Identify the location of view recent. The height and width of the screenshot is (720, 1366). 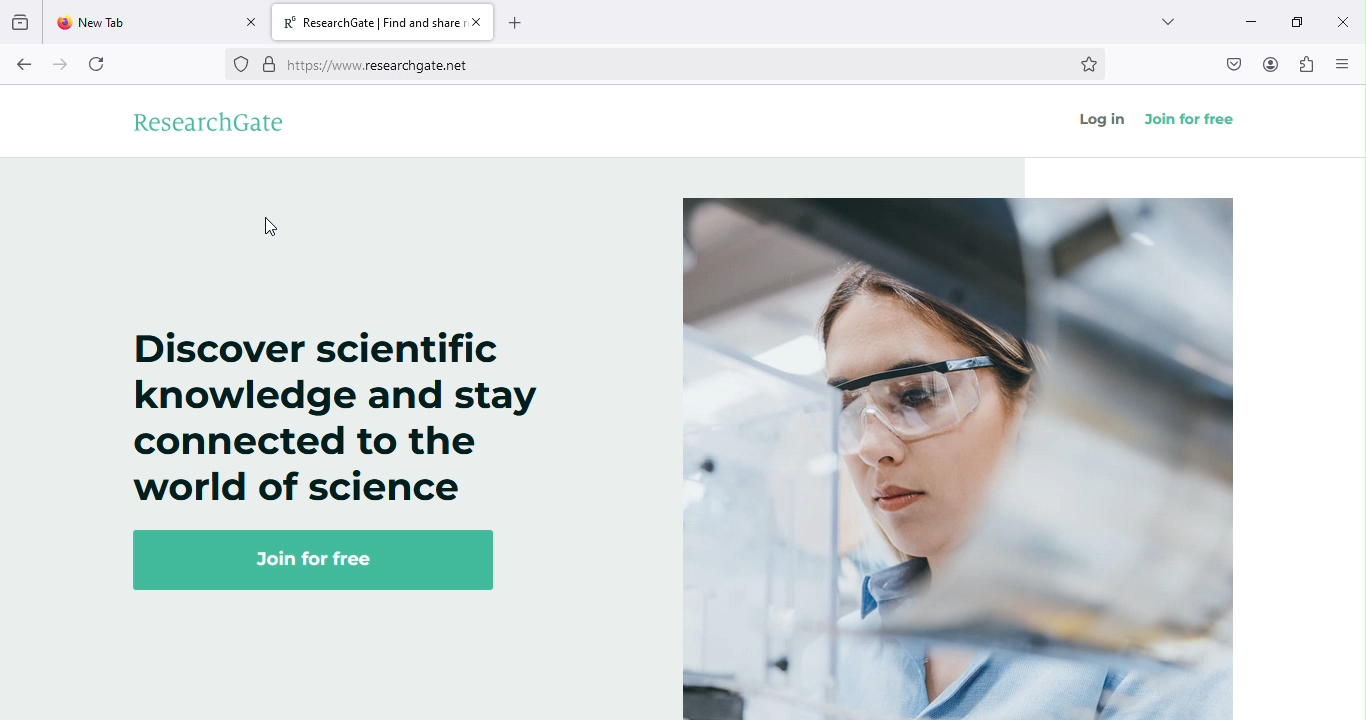
(21, 23).